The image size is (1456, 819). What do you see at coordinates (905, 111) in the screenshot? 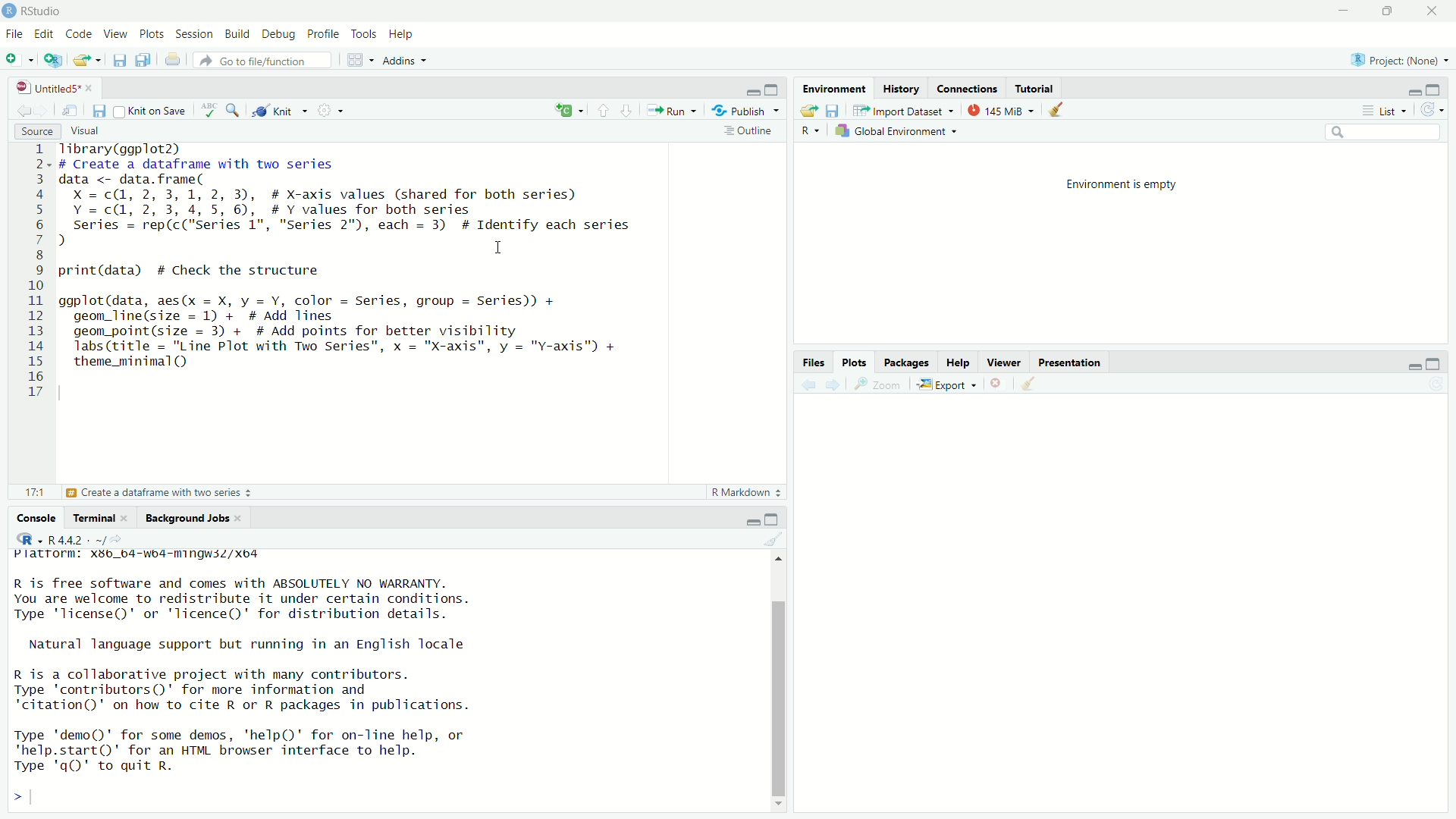
I see `Import Dataset` at bounding box center [905, 111].